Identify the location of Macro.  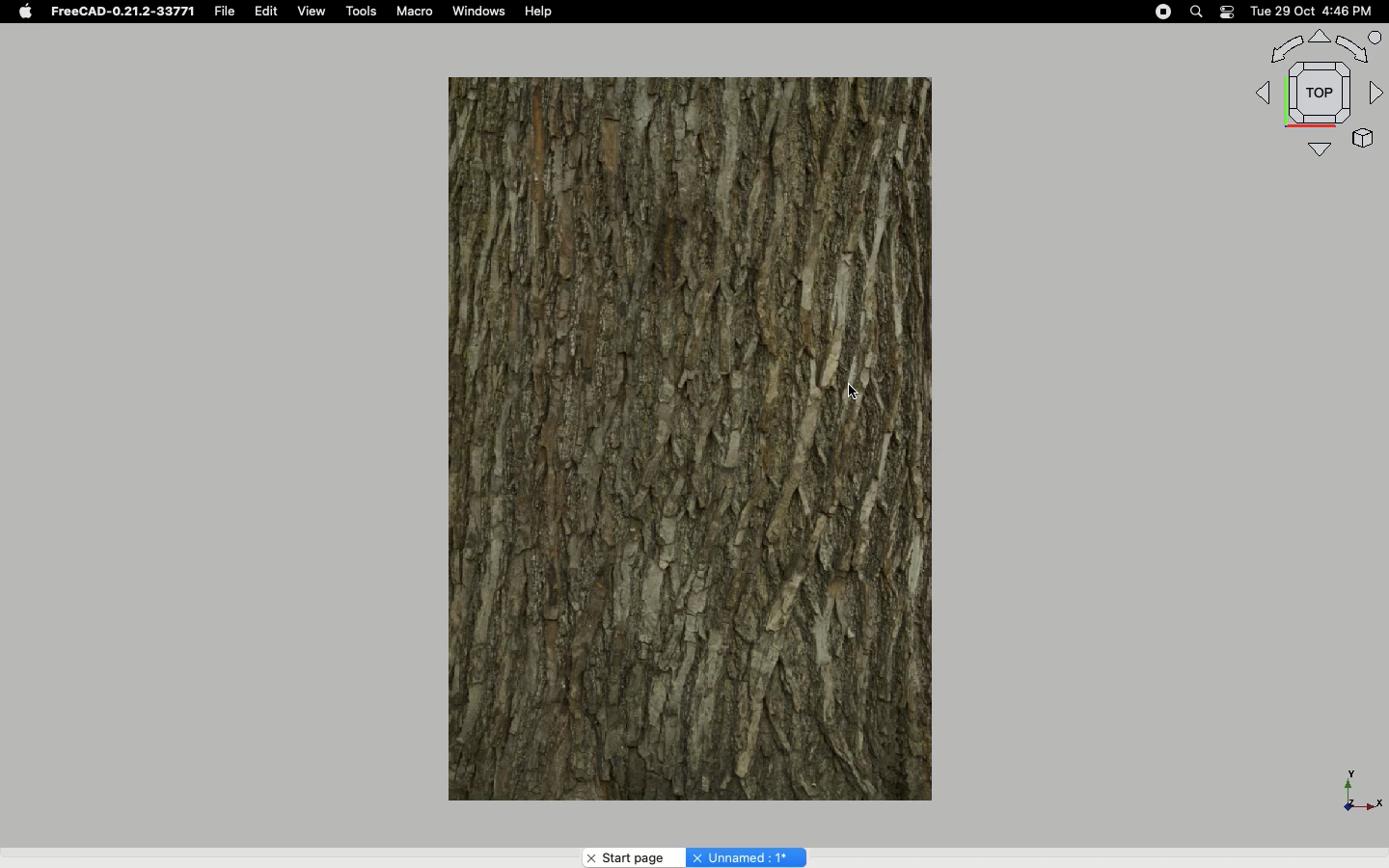
(419, 14).